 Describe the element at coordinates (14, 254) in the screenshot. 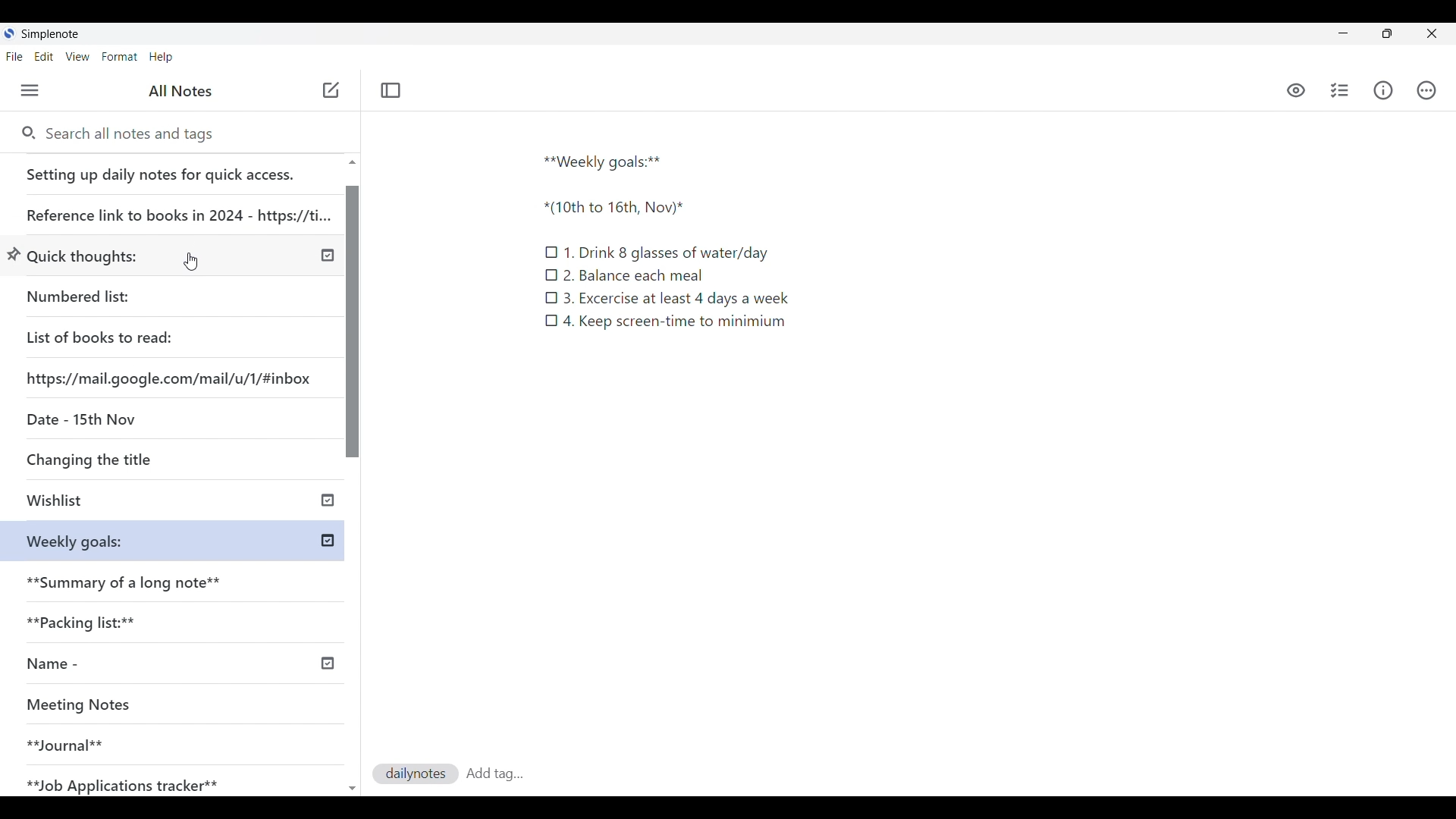

I see `Unpin option for selected note` at that location.